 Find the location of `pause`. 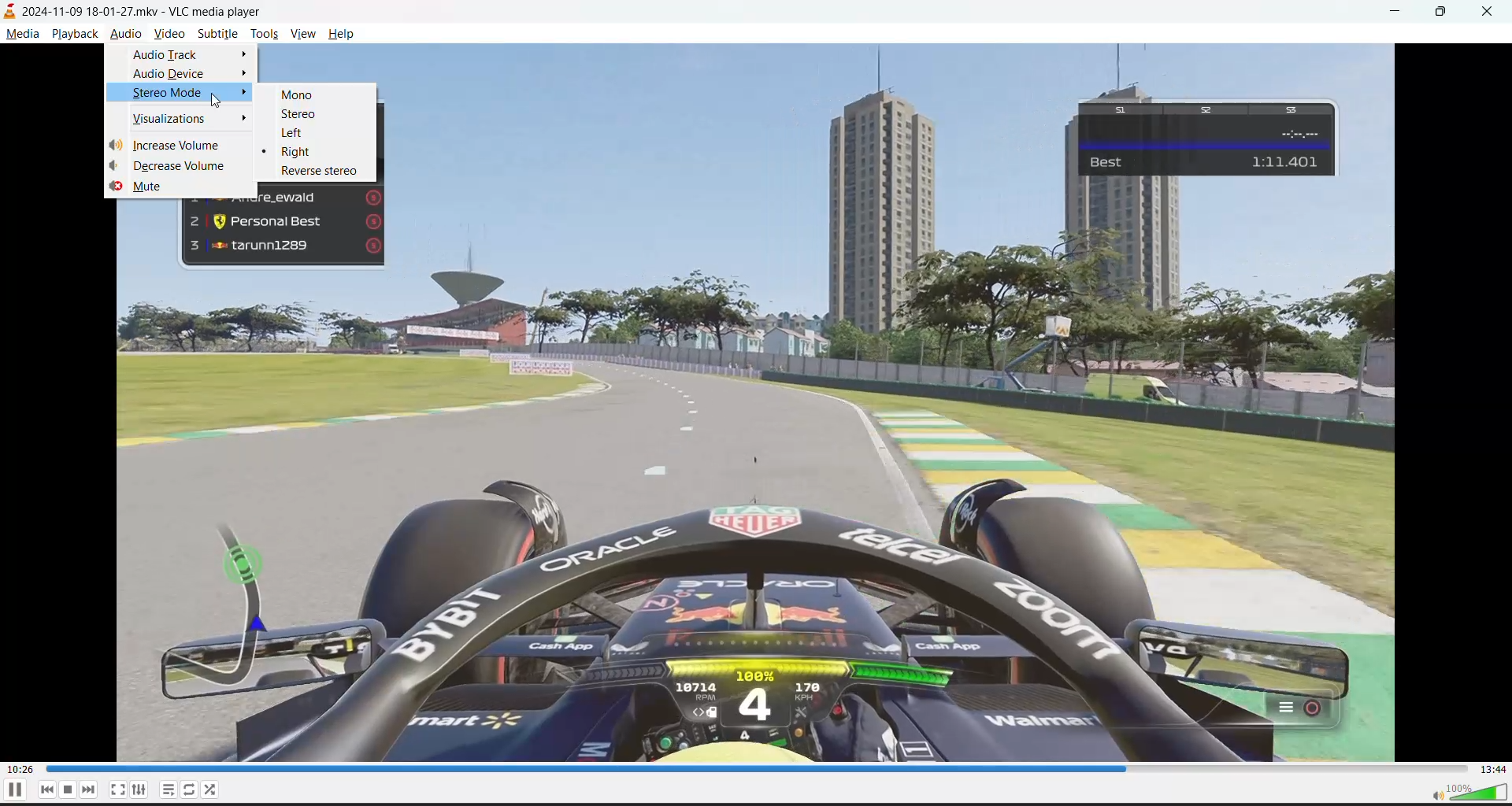

pause is located at coordinates (13, 790).